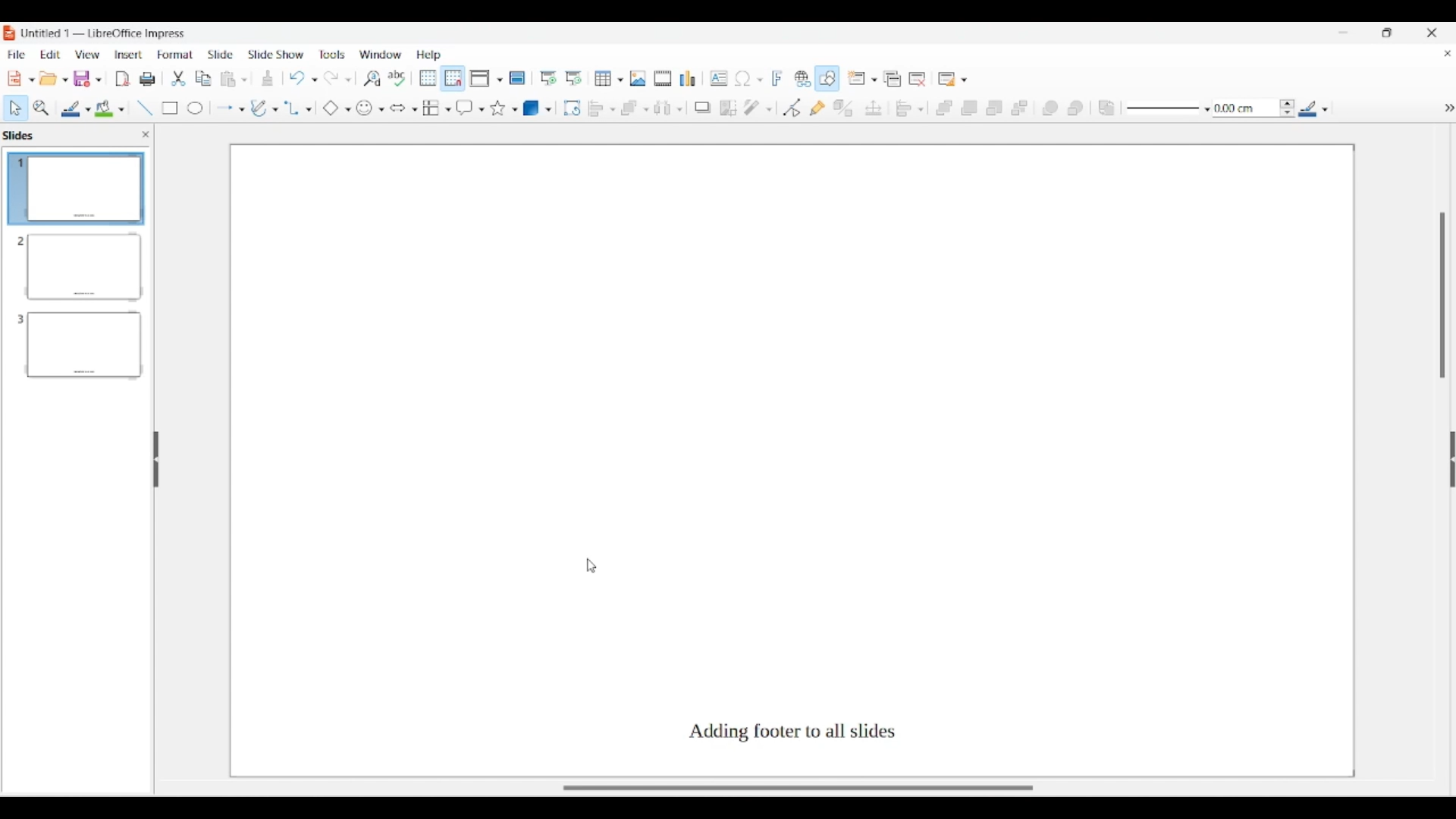 Image resolution: width=1456 pixels, height=819 pixels. Describe the element at coordinates (298, 108) in the screenshot. I see `Connector options` at that location.